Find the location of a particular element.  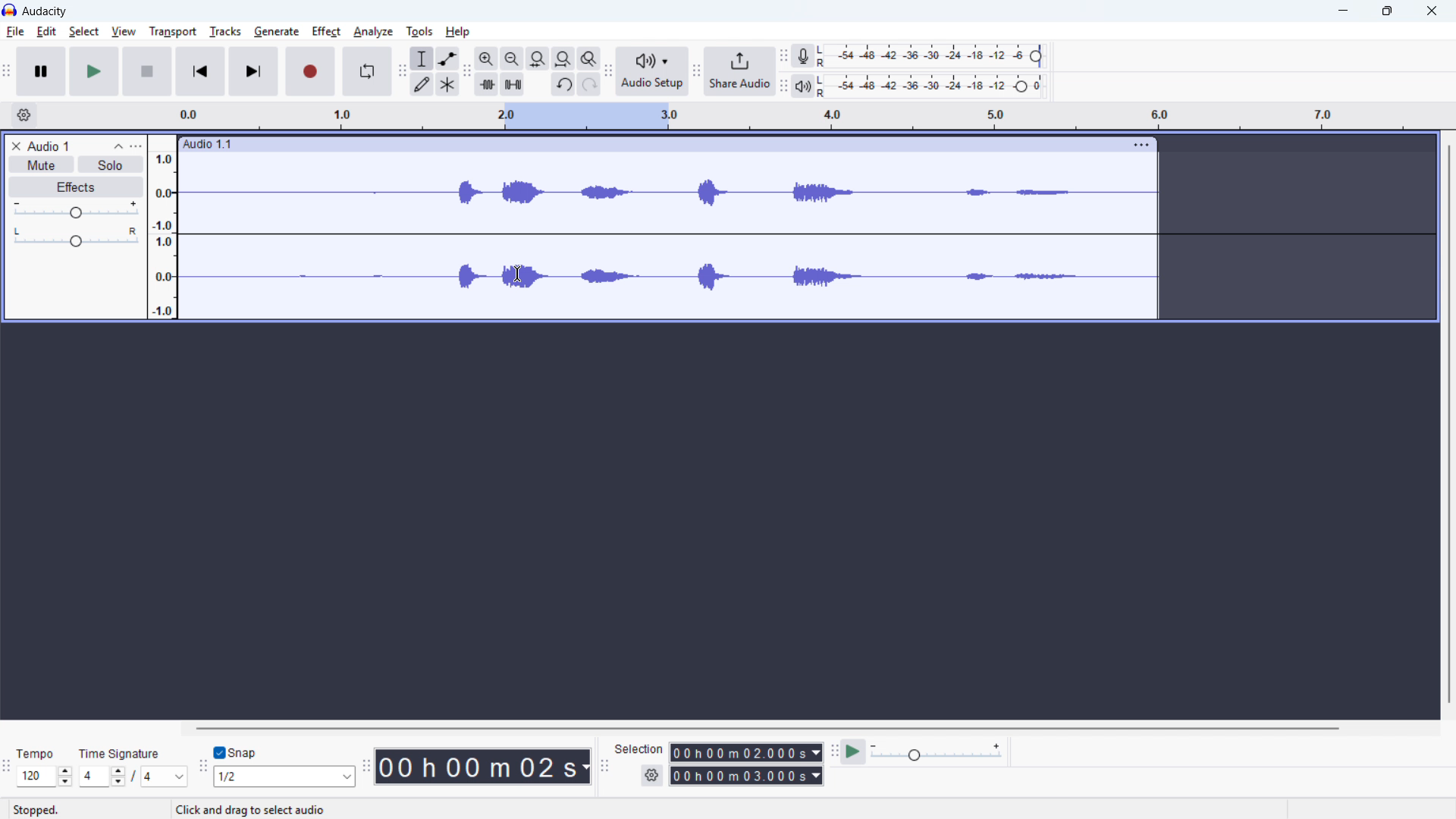

Selection end time is located at coordinates (748, 776).